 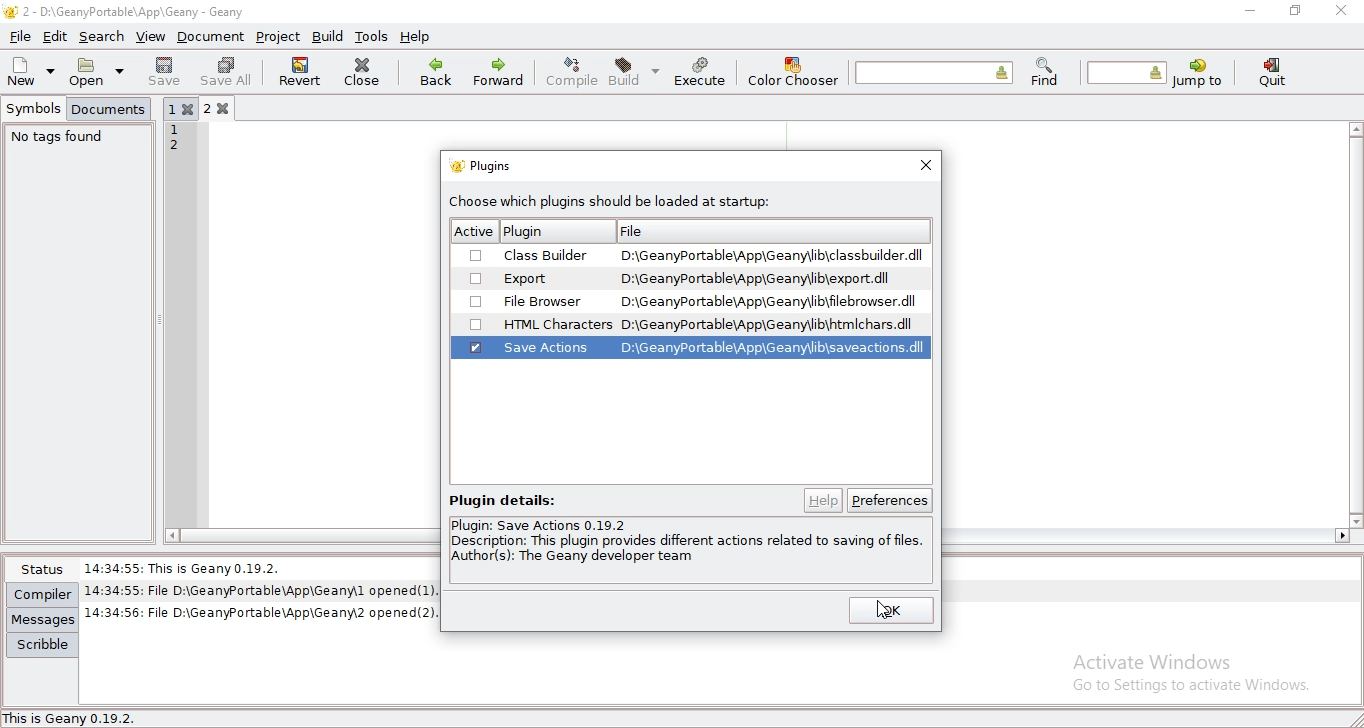 What do you see at coordinates (57, 35) in the screenshot?
I see `edit` at bounding box center [57, 35].